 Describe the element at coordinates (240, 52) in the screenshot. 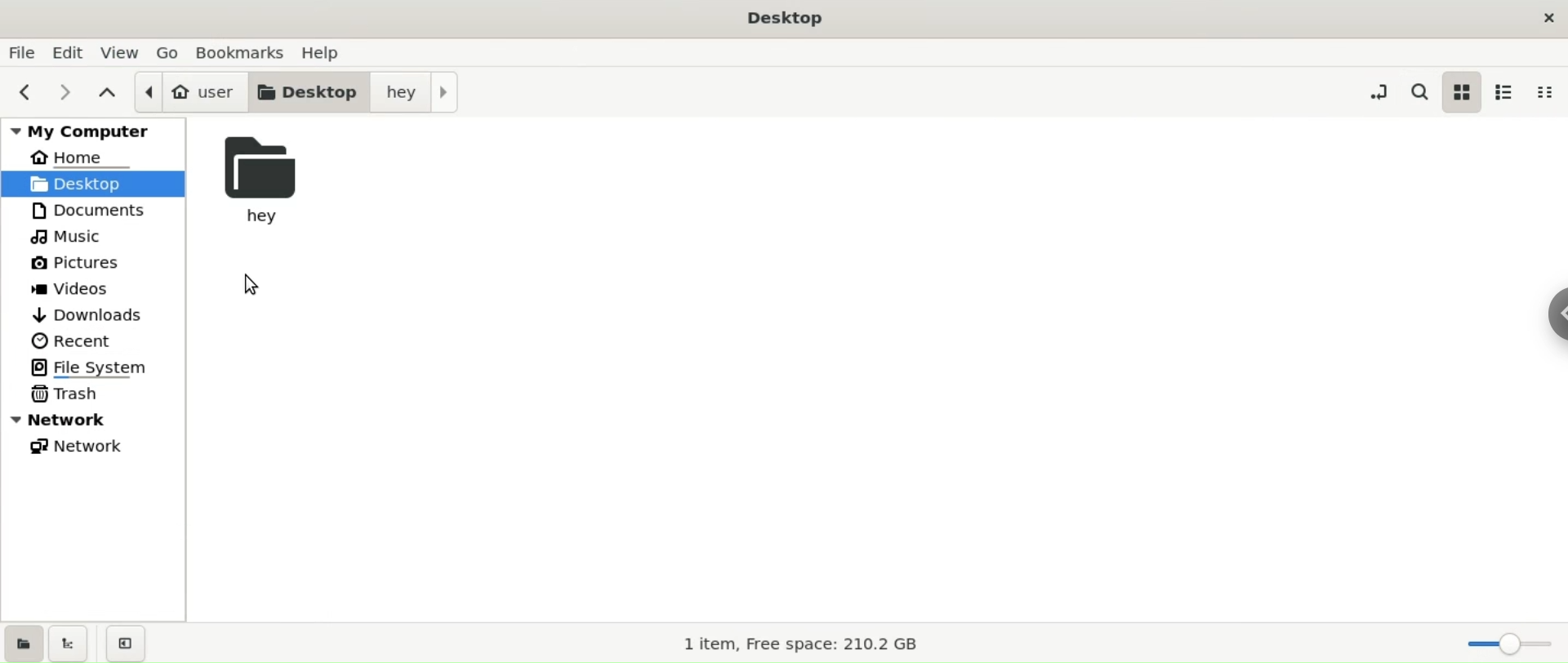

I see `bookmarks` at that location.